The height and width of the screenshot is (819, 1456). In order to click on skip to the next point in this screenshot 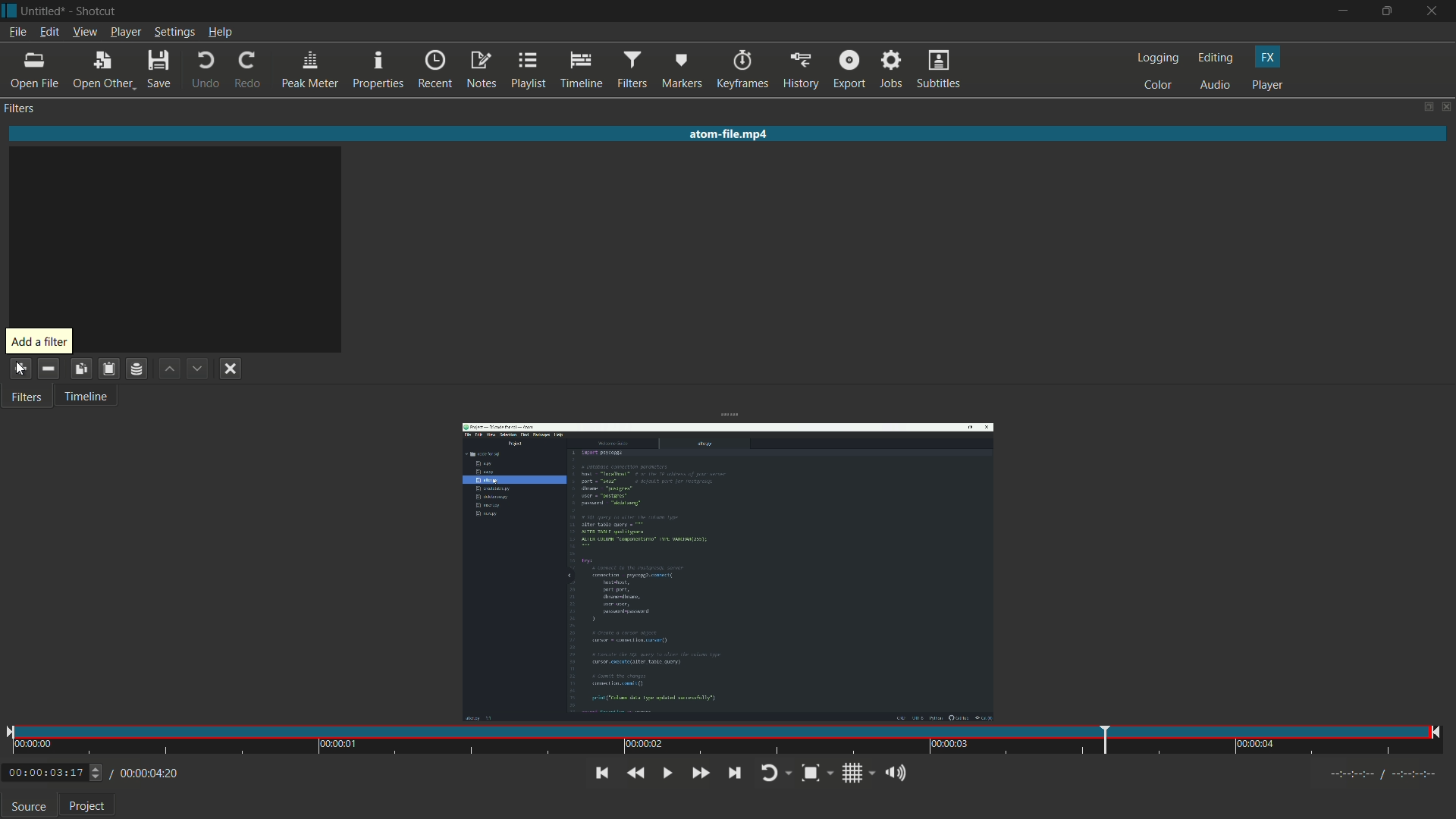, I will do `click(734, 773)`.